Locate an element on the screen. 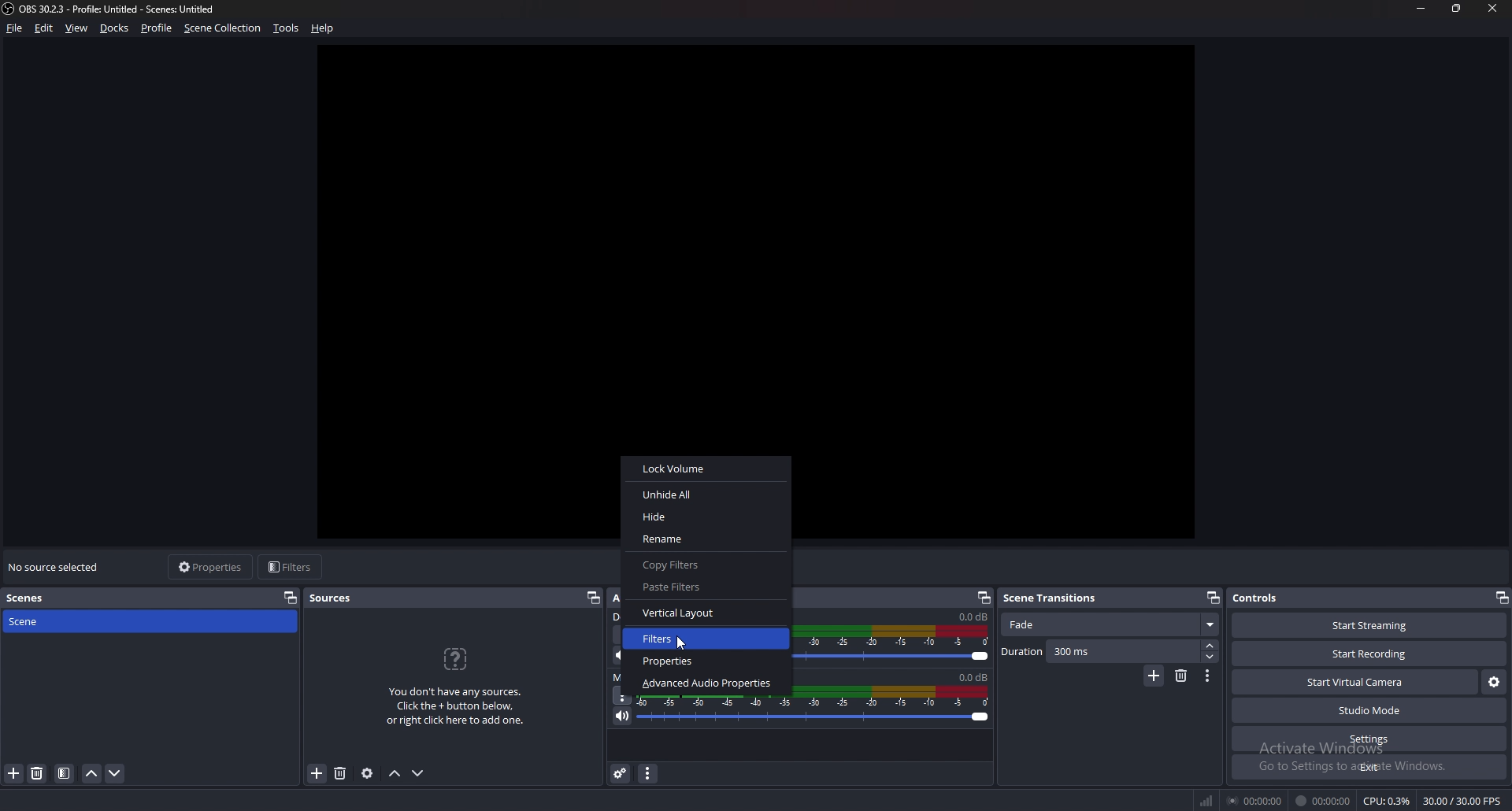  Vertical Layout is located at coordinates (680, 613).